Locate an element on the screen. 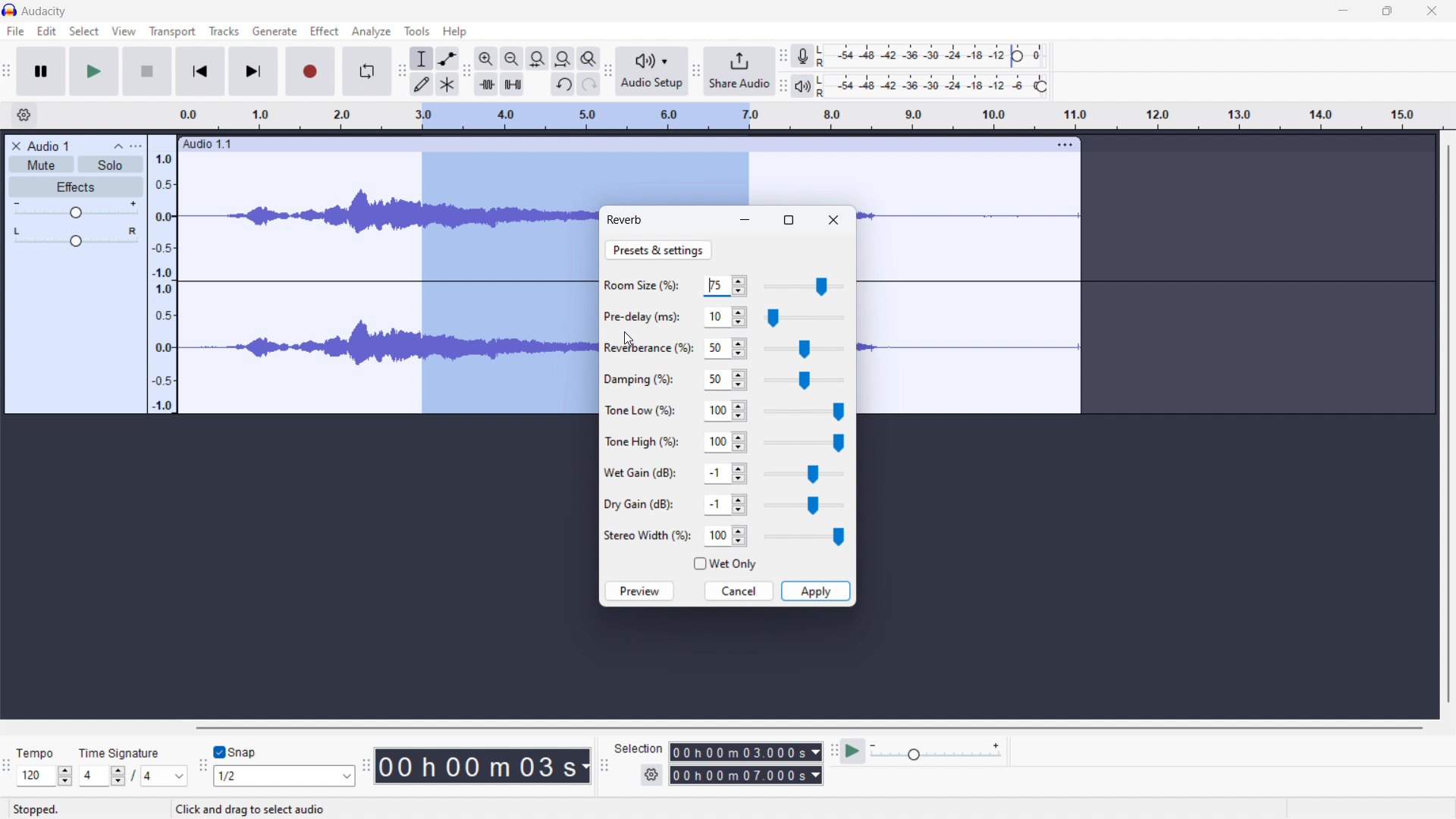 The width and height of the screenshot is (1456, 819). preset & settings is located at coordinates (658, 249).